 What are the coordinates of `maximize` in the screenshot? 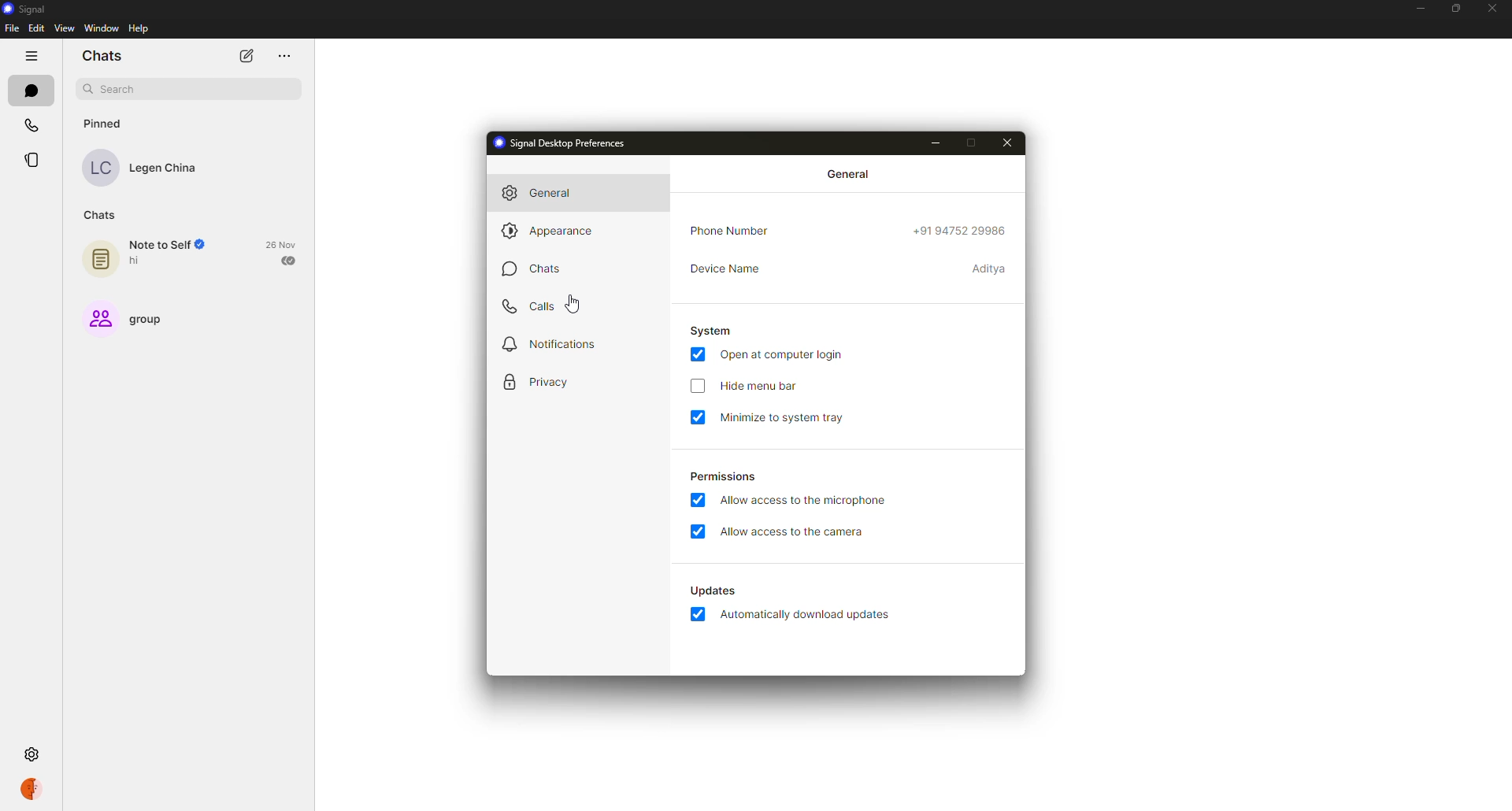 It's located at (1455, 9).